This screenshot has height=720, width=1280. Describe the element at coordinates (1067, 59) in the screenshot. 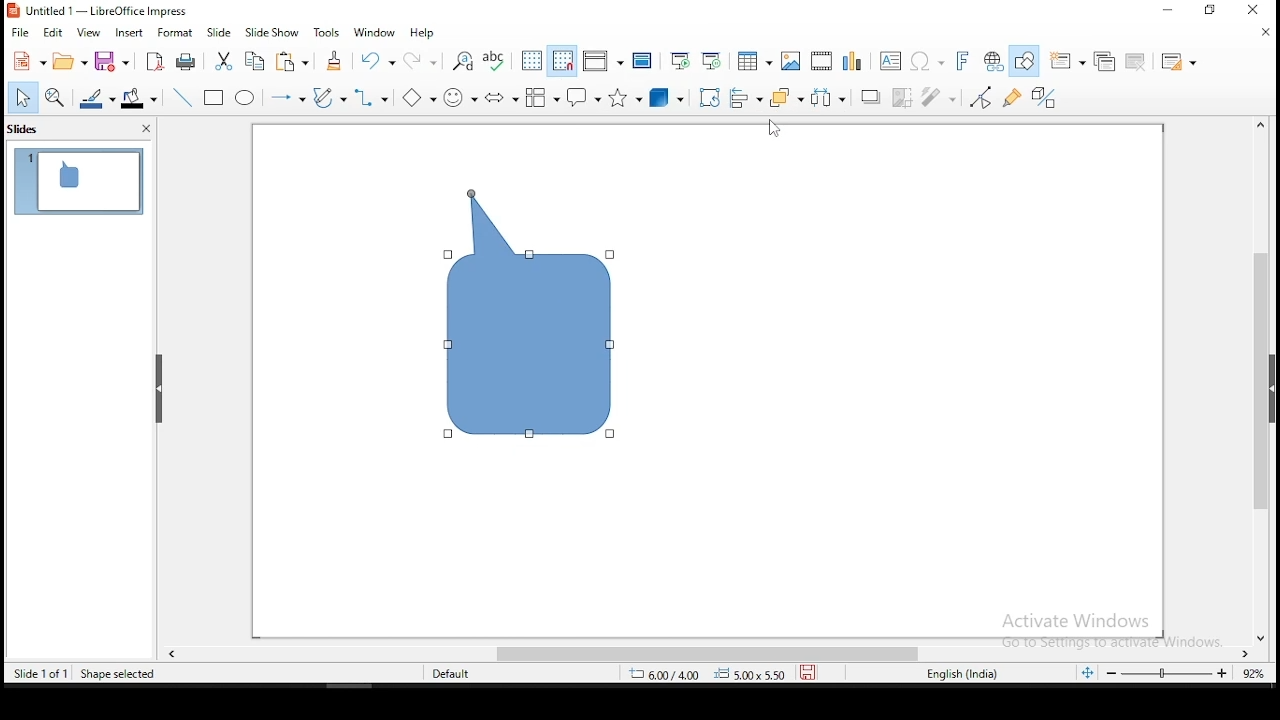

I see `new slide` at that location.